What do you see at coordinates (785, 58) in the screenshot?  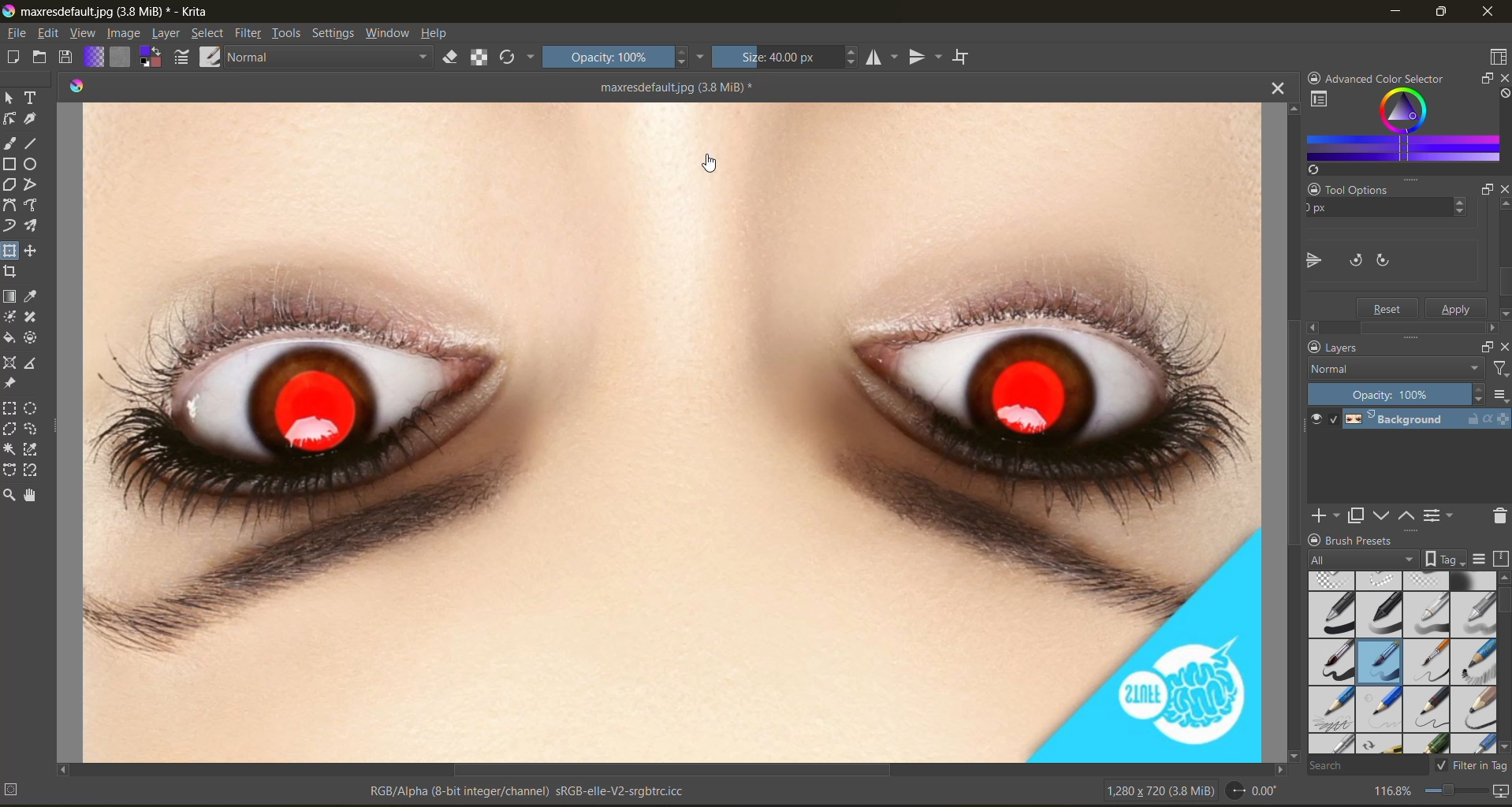 I see `size` at bounding box center [785, 58].